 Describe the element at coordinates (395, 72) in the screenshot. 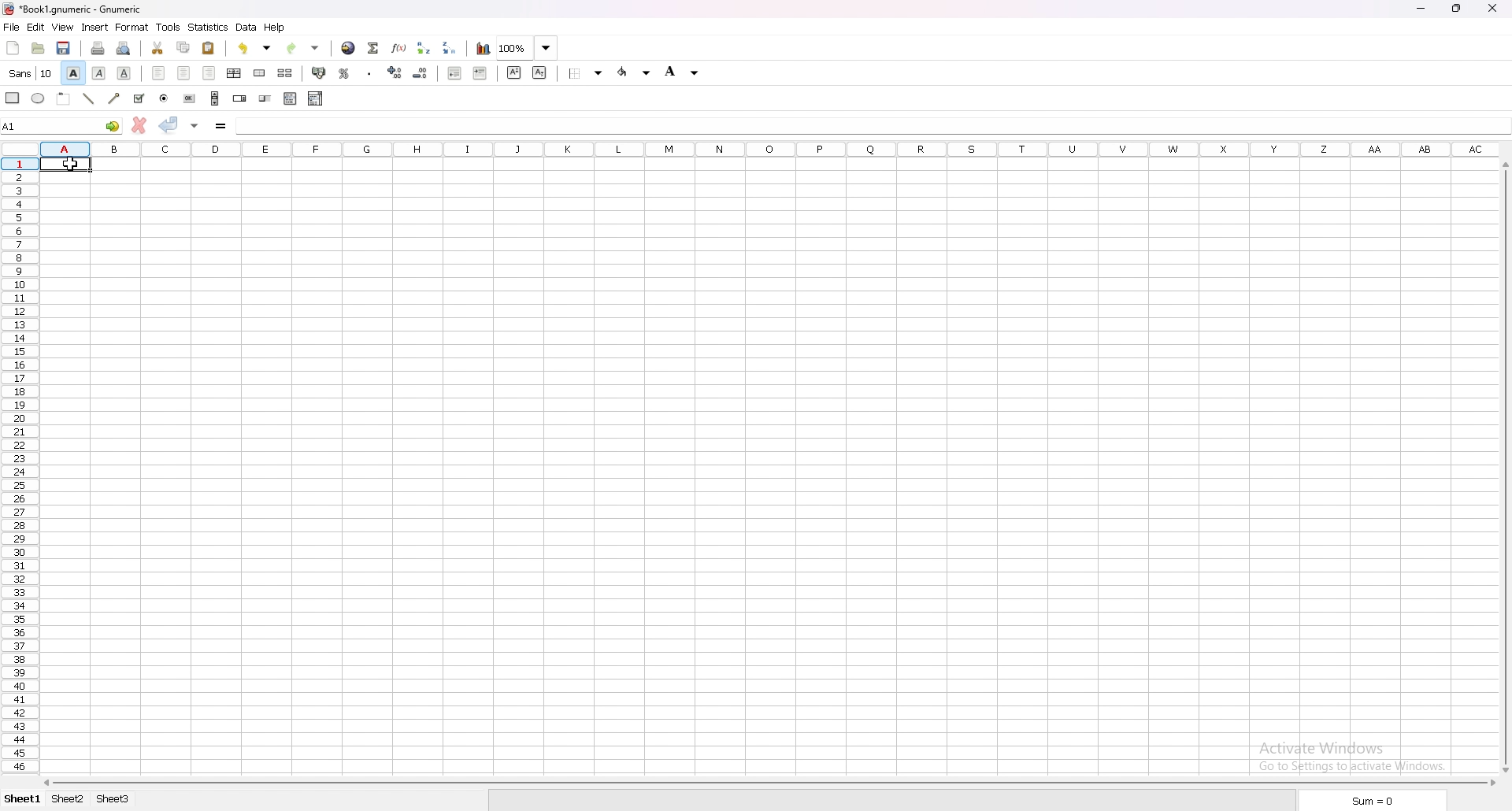

I see `increase decimal` at that location.